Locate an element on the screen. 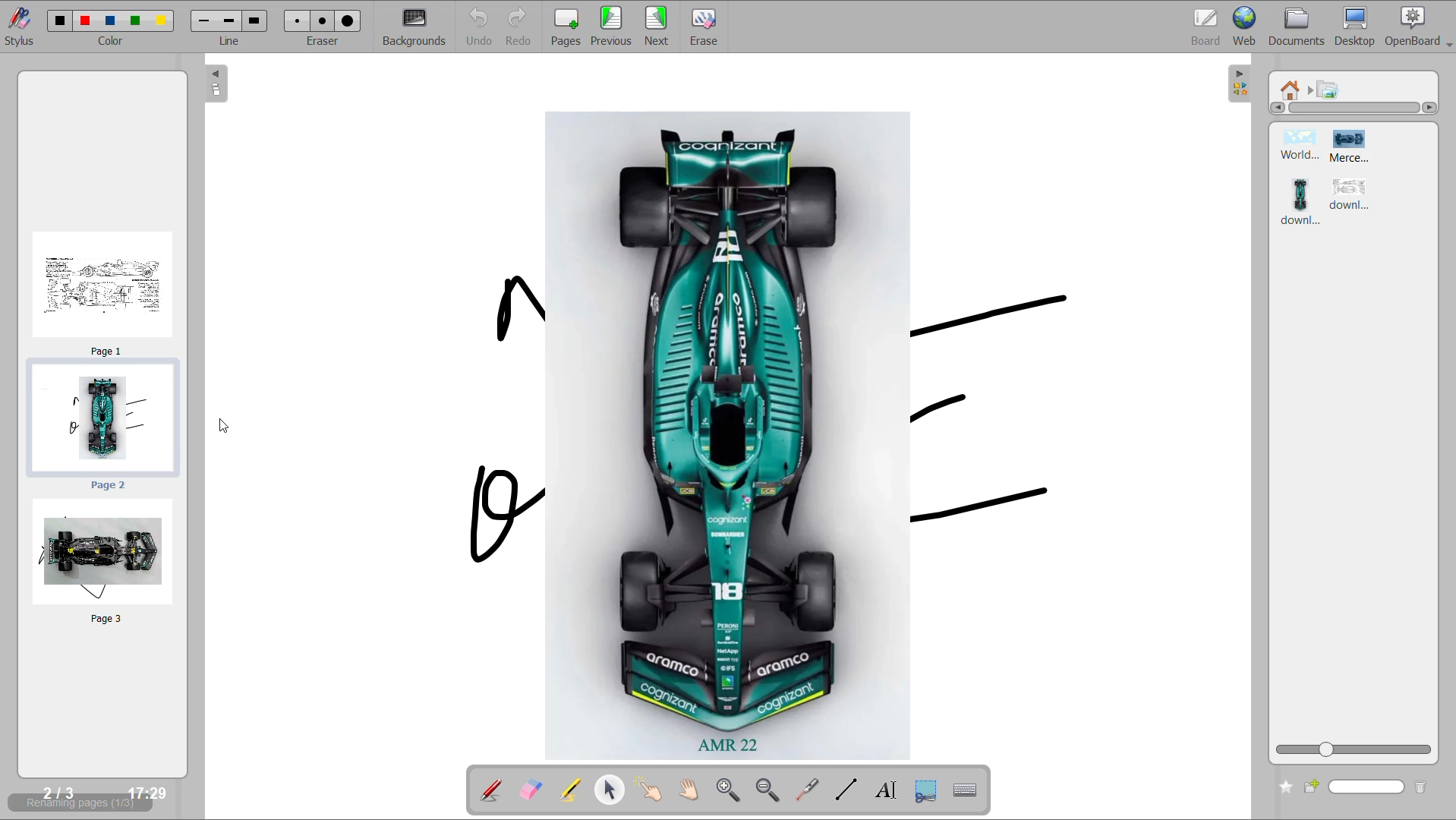 The height and width of the screenshot is (820, 1456). Large eraser is located at coordinates (349, 20).